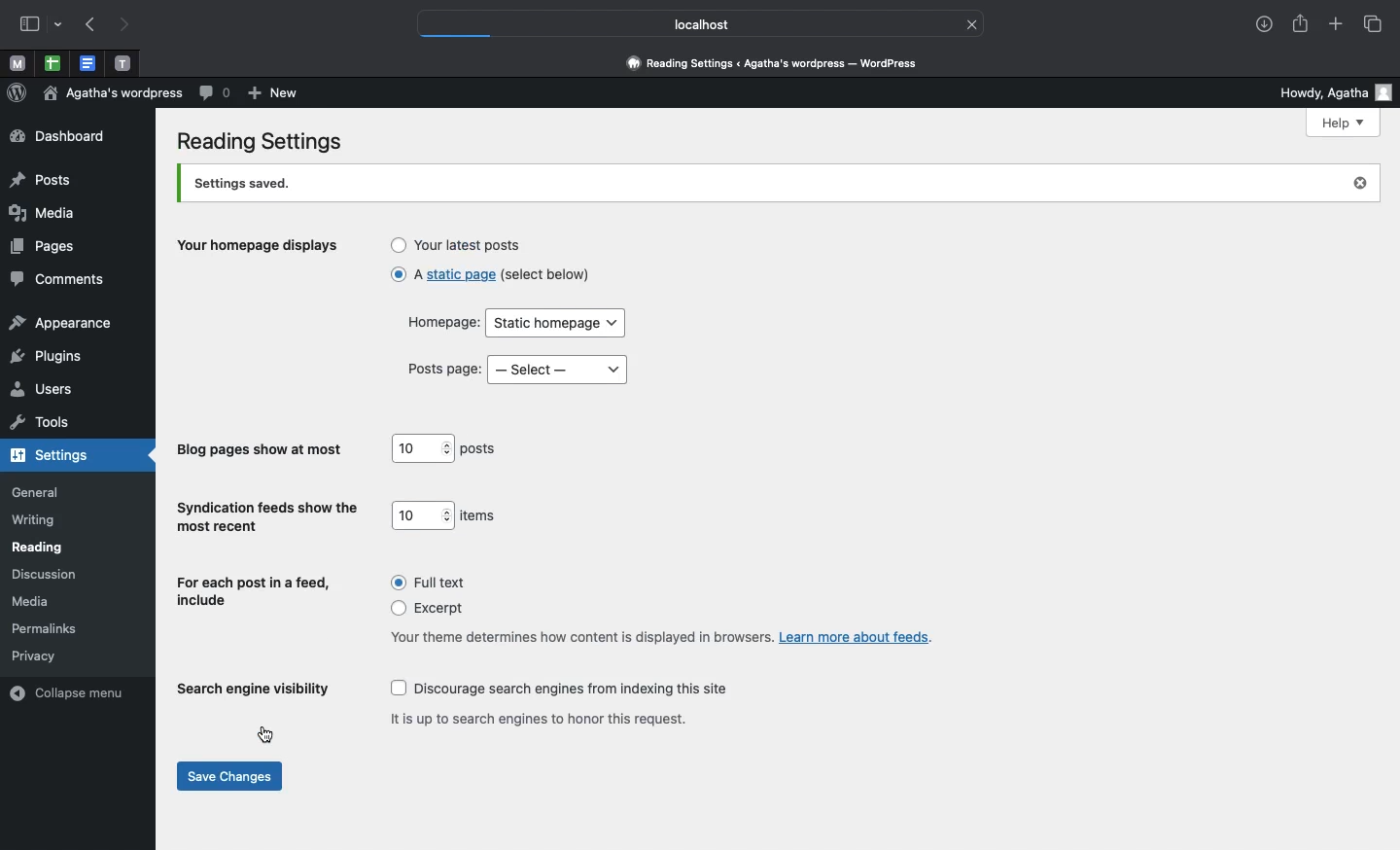 The width and height of the screenshot is (1400, 850). I want to click on items, so click(480, 514).